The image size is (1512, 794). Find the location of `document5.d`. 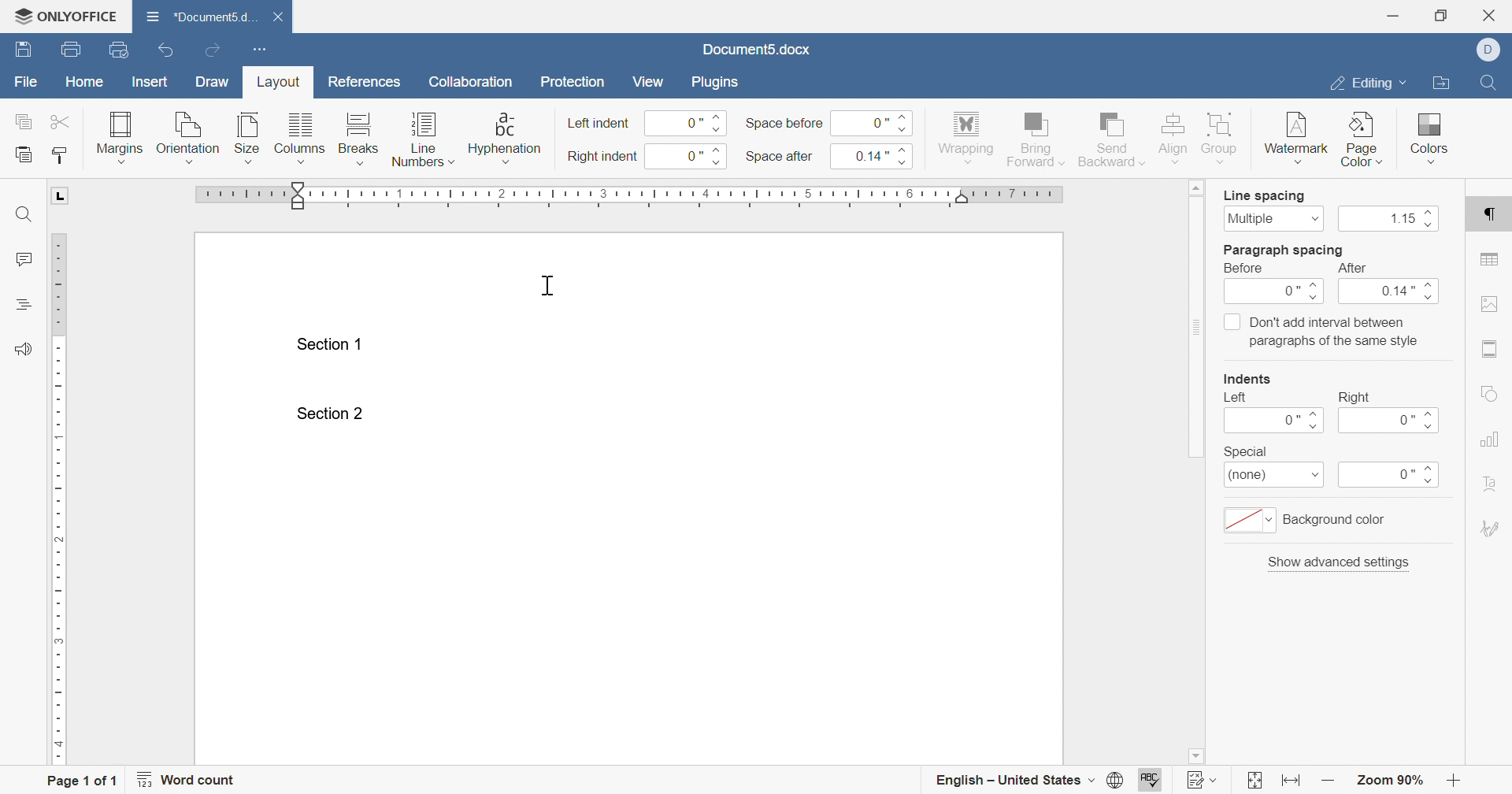

document5.d is located at coordinates (203, 16).